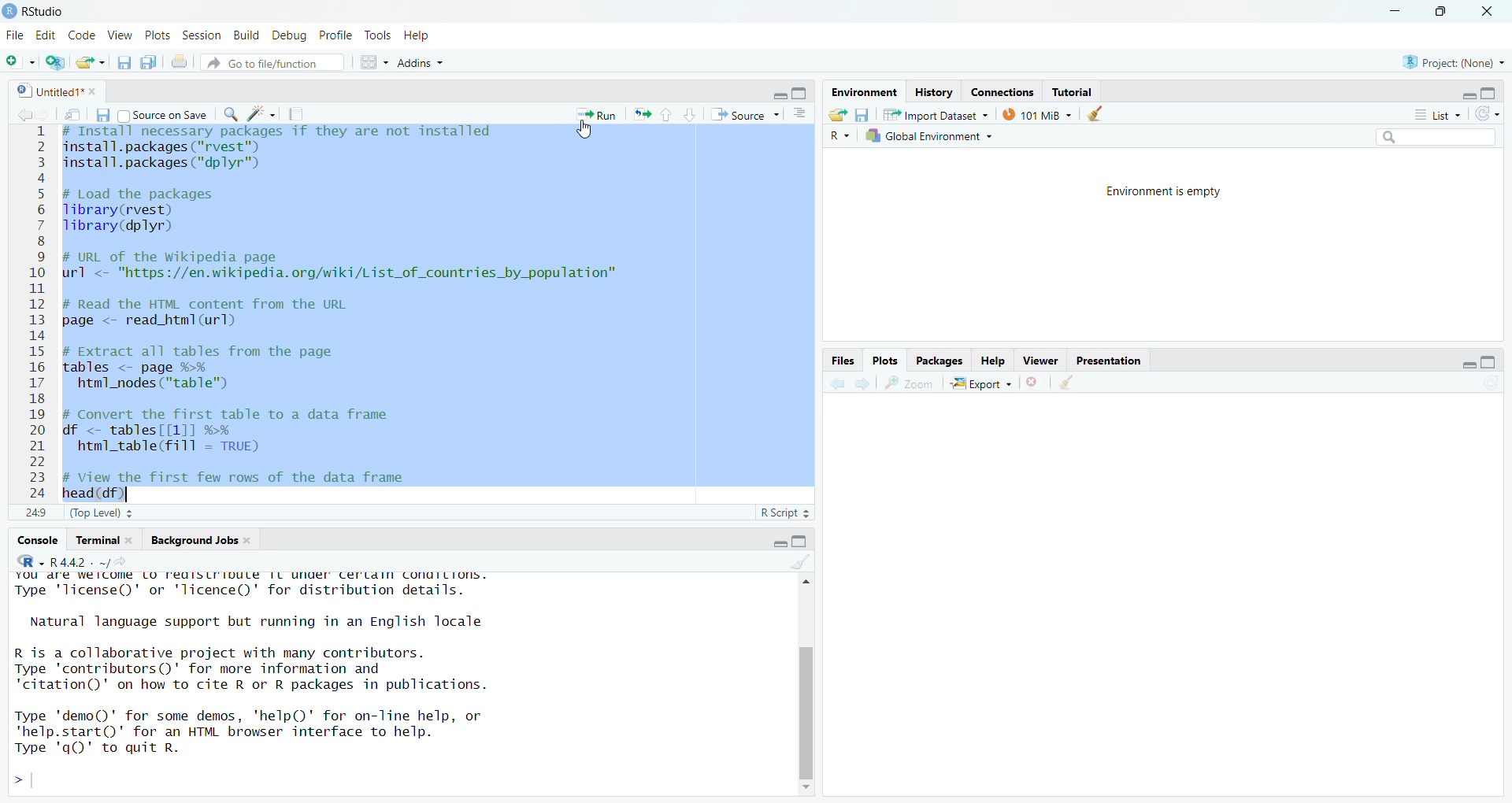 Image resolution: width=1512 pixels, height=803 pixels. What do you see at coordinates (29, 561) in the screenshot?
I see `RStudio` at bounding box center [29, 561].